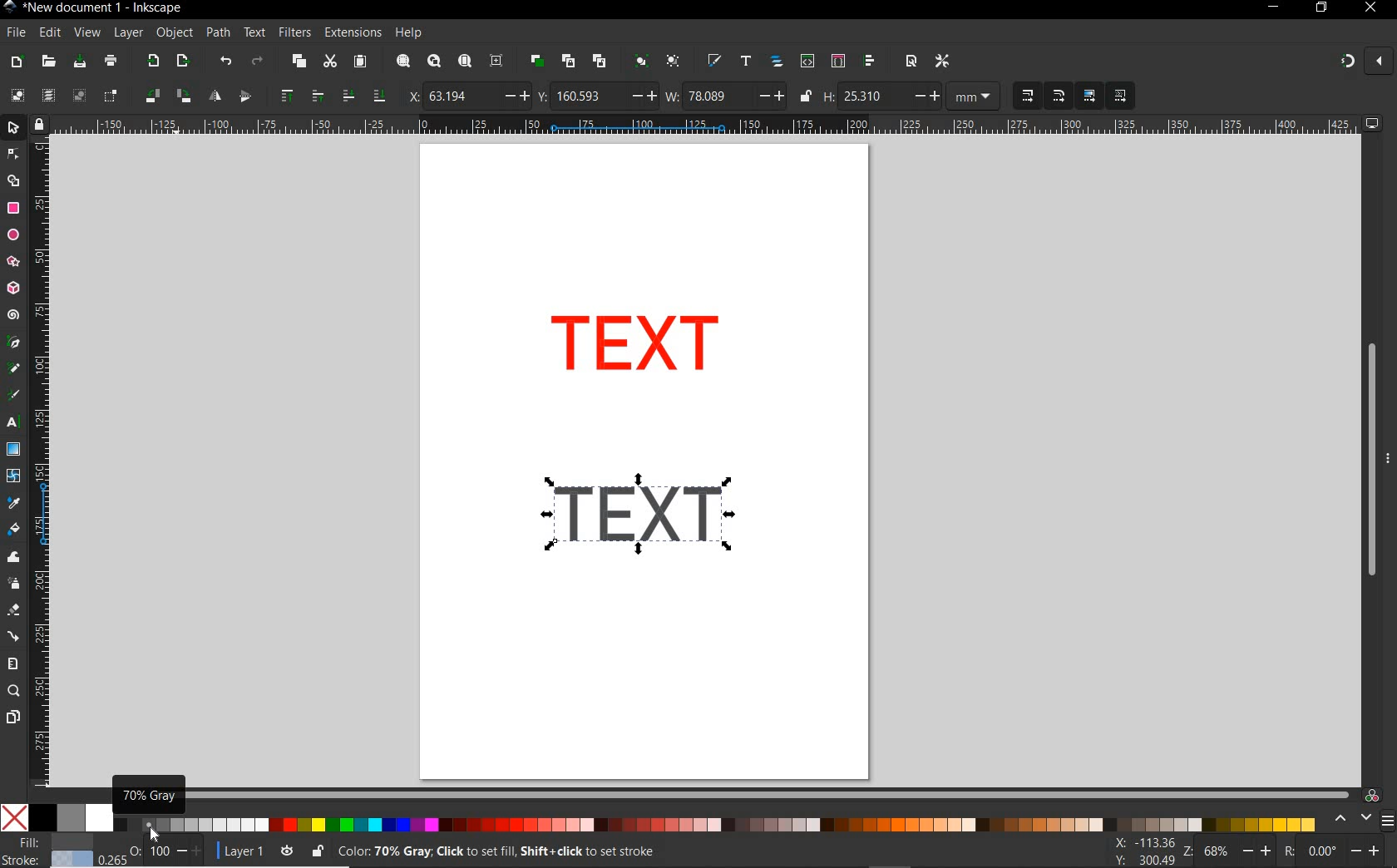 The width and height of the screenshot is (1397, 868). Describe the element at coordinates (777, 63) in the screenshot. I see `open objects` at that location.